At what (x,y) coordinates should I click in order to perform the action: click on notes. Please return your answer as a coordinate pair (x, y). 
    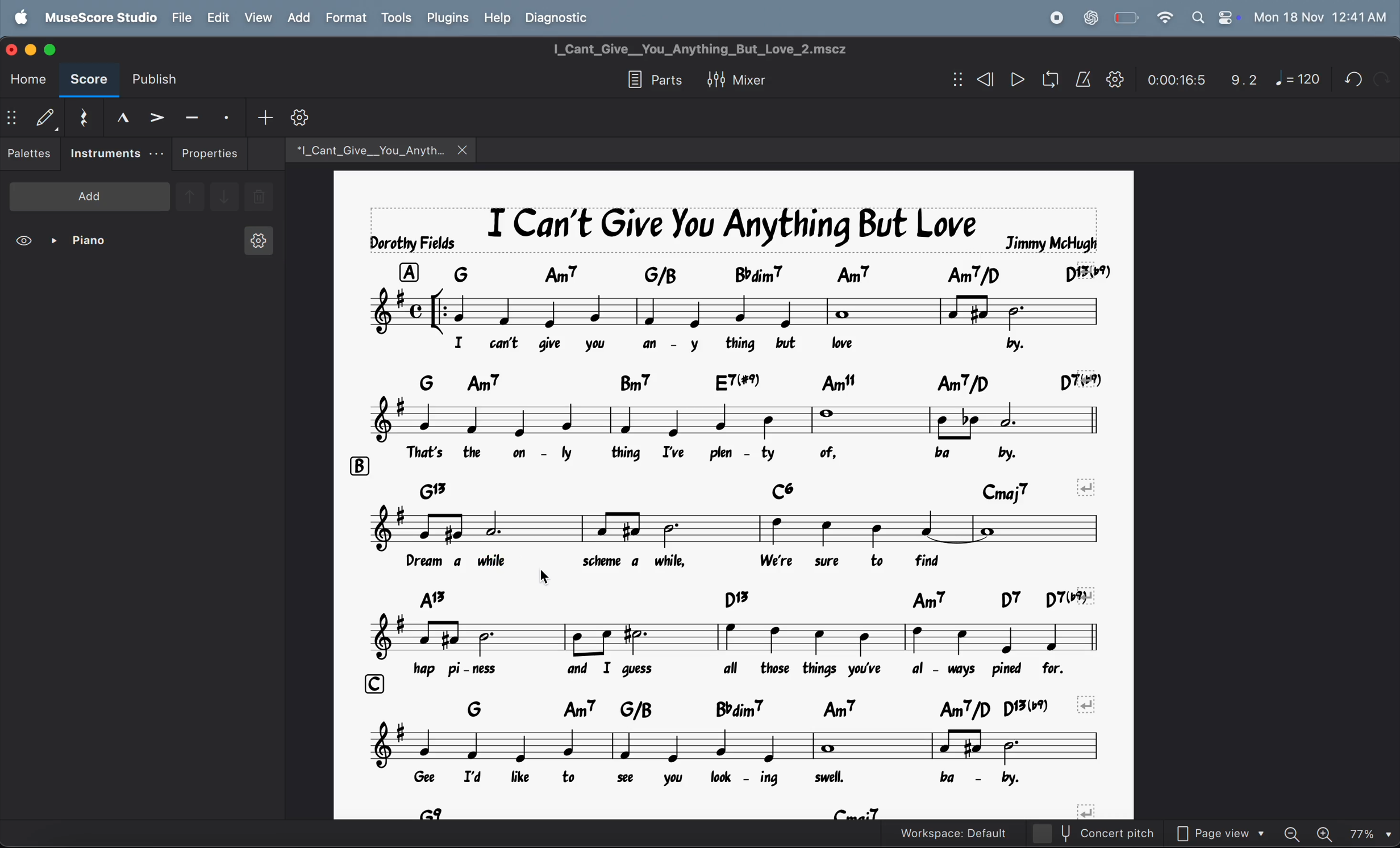
    Looking at the image, I should click on (742, 638).